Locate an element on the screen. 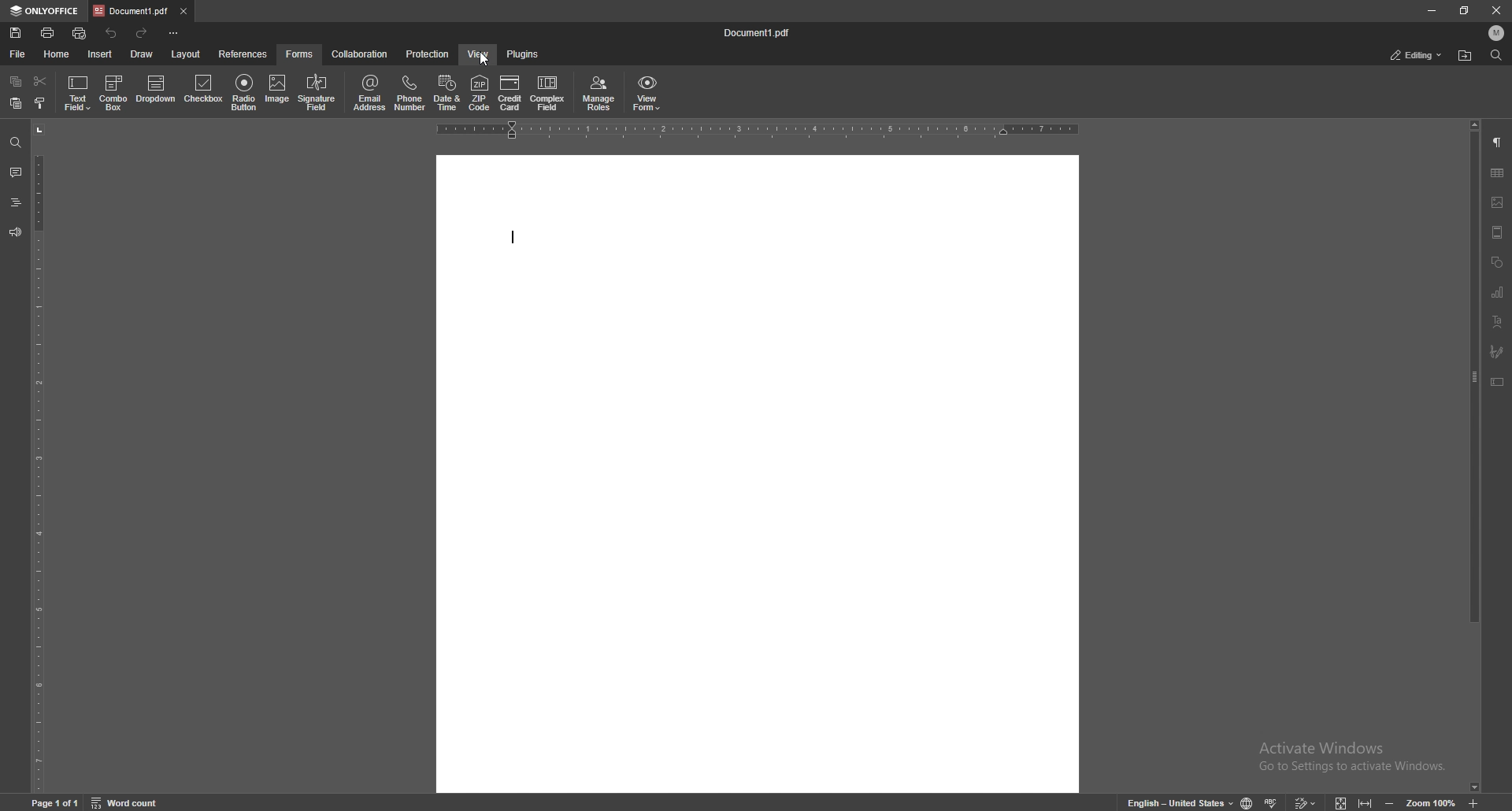 The width and height of the screenshot is (1512, 811). find is located at coordinates (15, 143).